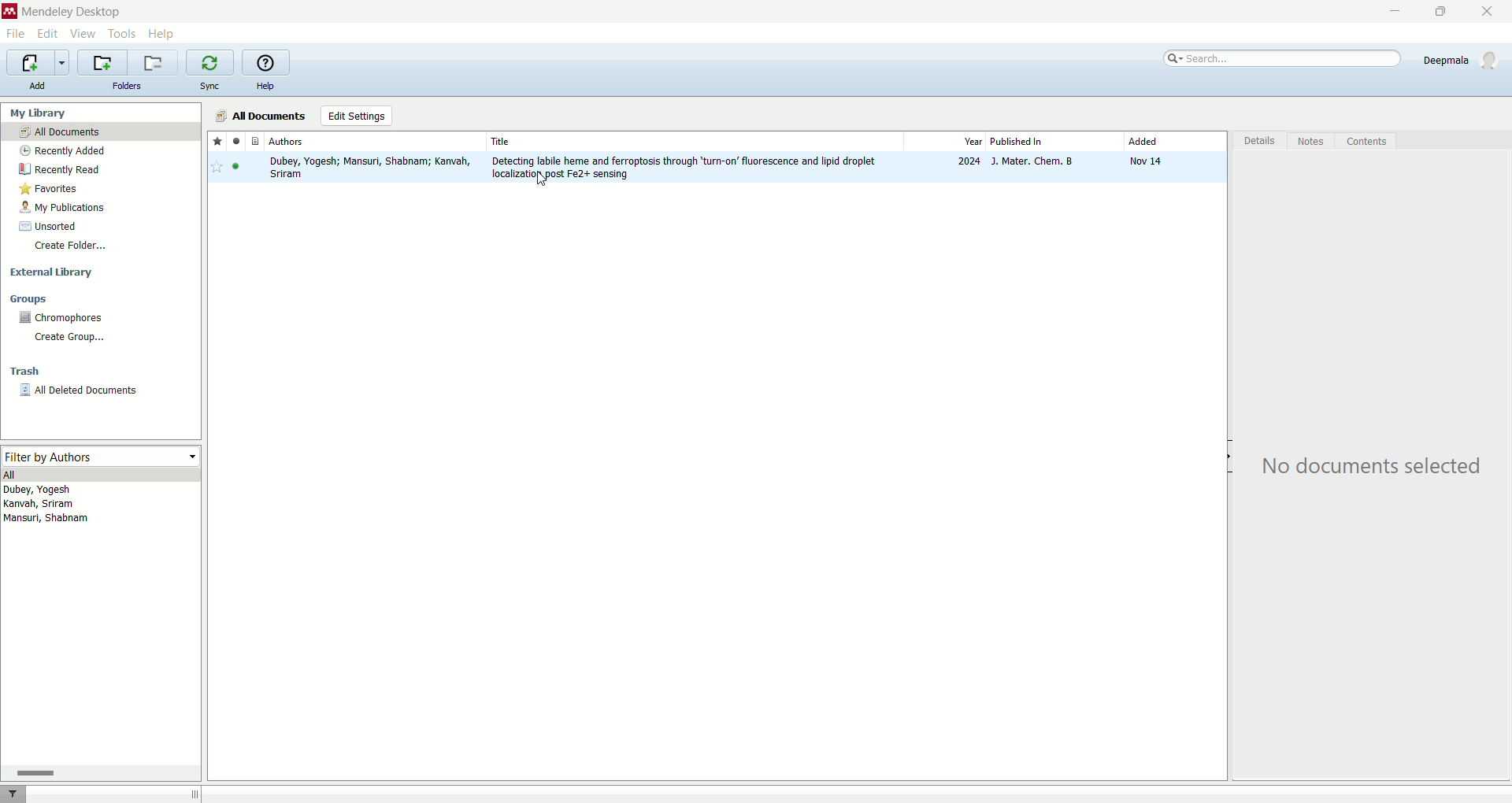  Describe the element at coordinates (40, 113) in the screenshot. I see `my library` at that location.